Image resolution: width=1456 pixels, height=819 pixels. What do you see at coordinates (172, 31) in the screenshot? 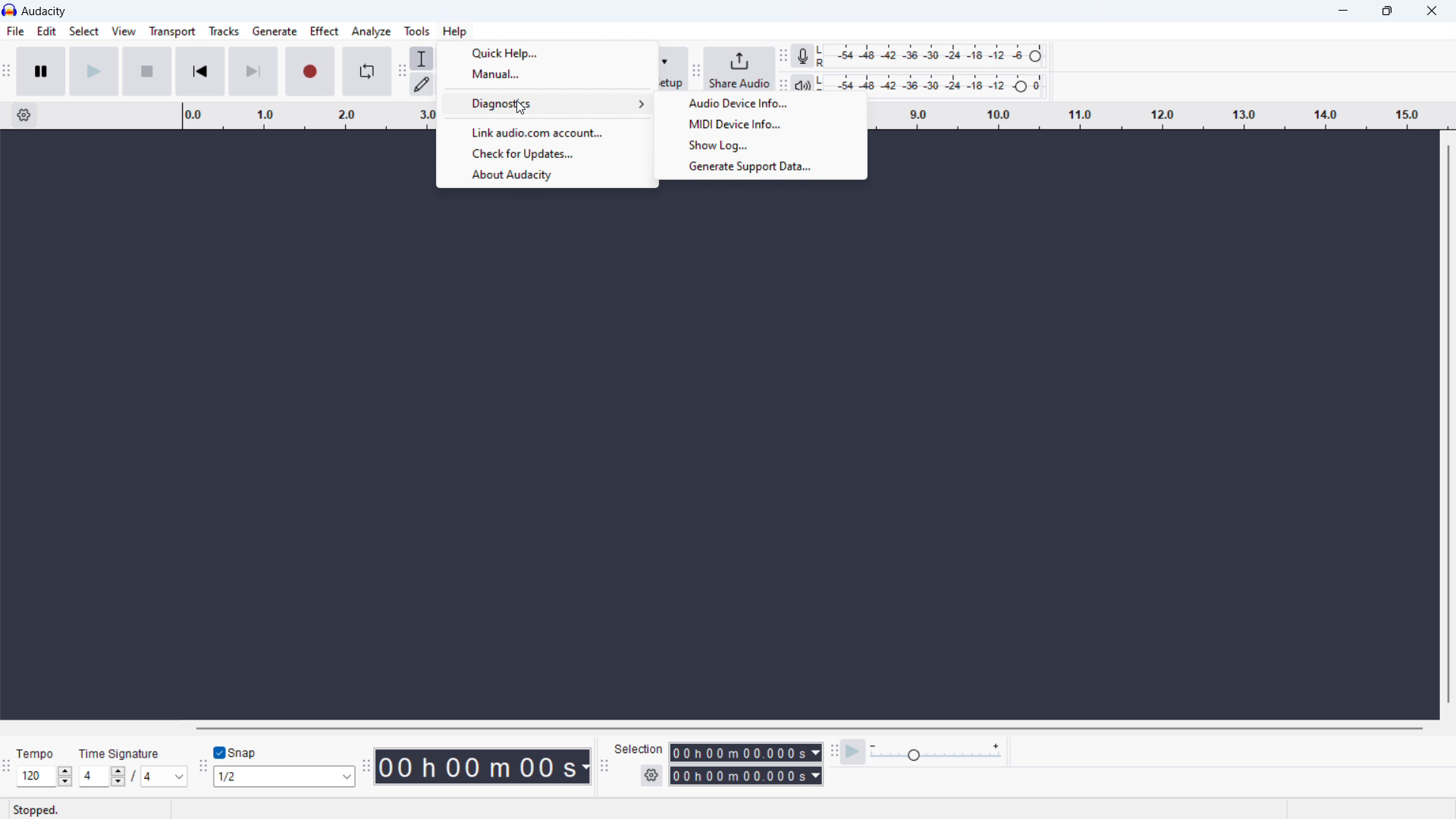
I see `transport` at bounding box center [172, 31].